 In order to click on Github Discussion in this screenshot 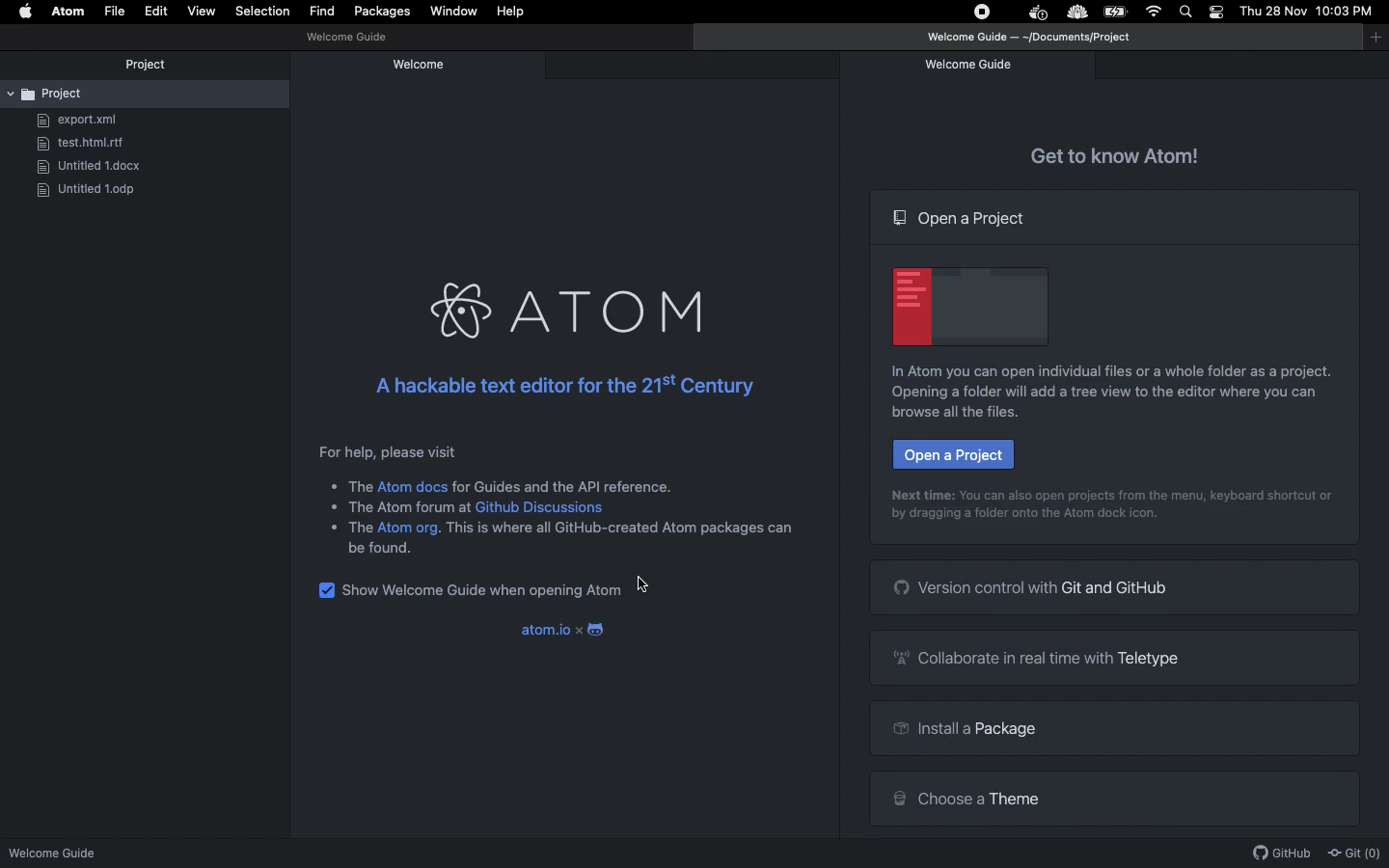, I will do `click(542, 507)`.